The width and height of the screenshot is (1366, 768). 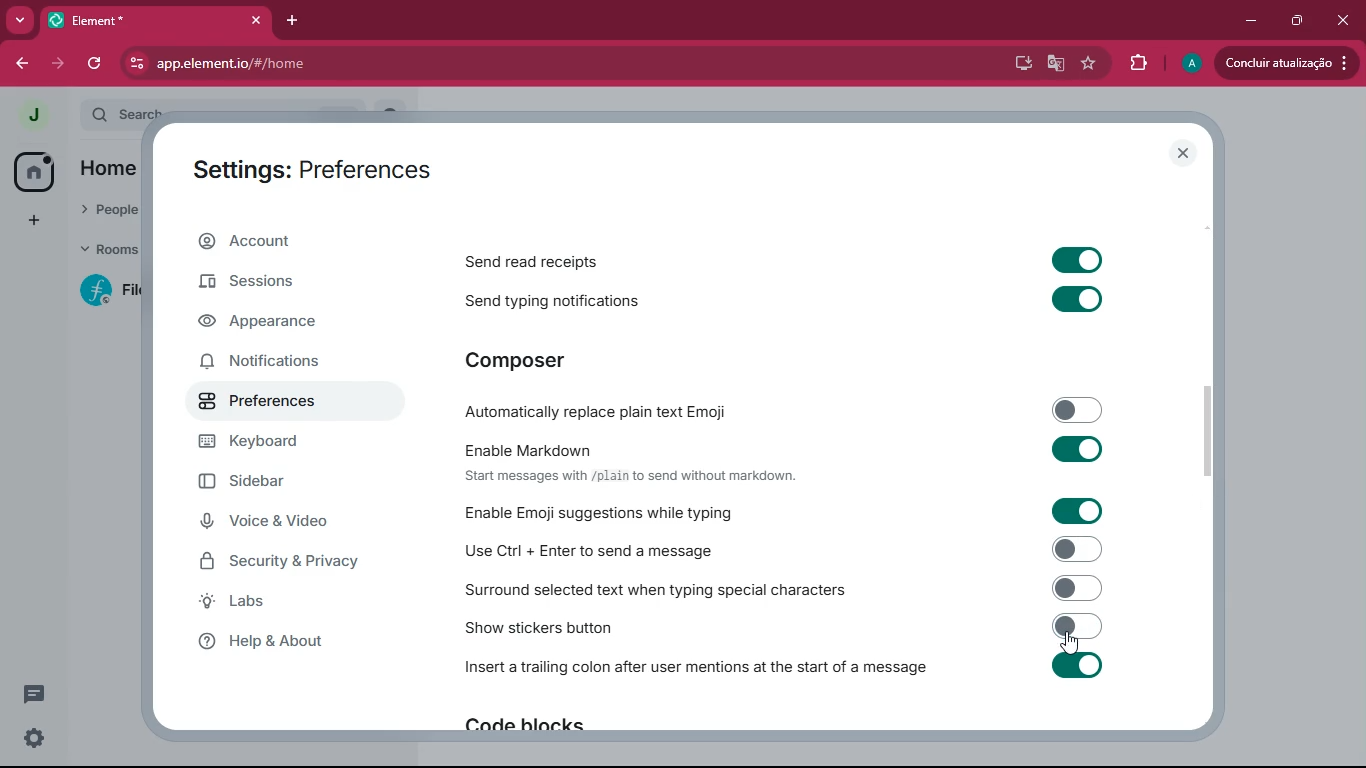 I want to click on quick settings, so click(x=32, y=735).